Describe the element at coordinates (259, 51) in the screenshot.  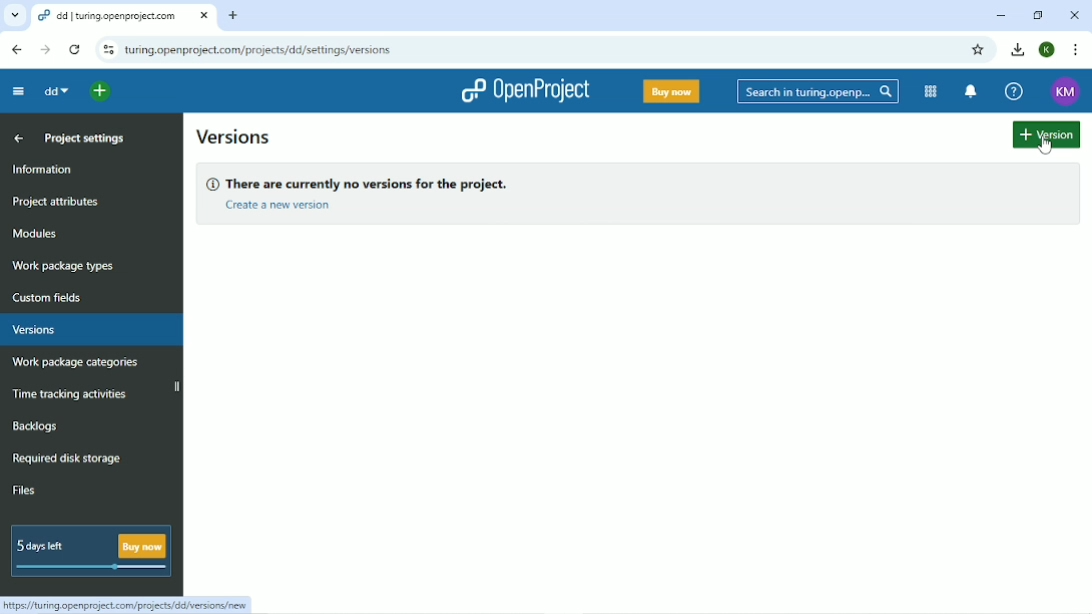
I see `Site` at that location.